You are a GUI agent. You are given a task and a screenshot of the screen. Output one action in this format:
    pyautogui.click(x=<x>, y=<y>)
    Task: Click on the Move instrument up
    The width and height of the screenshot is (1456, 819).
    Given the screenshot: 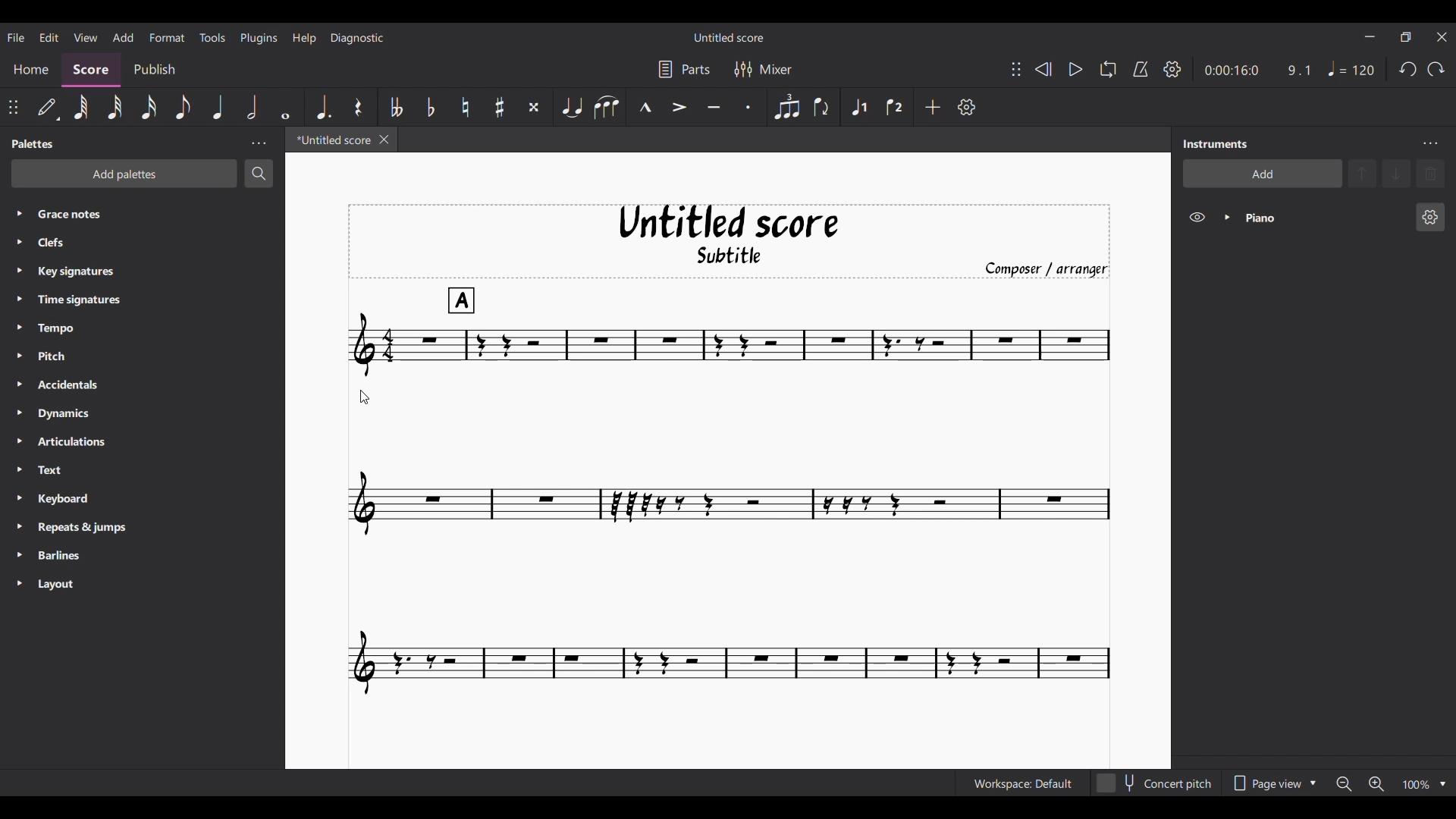 What is the action you would take?
    pyautogui.click(x=1363, y=173)
    